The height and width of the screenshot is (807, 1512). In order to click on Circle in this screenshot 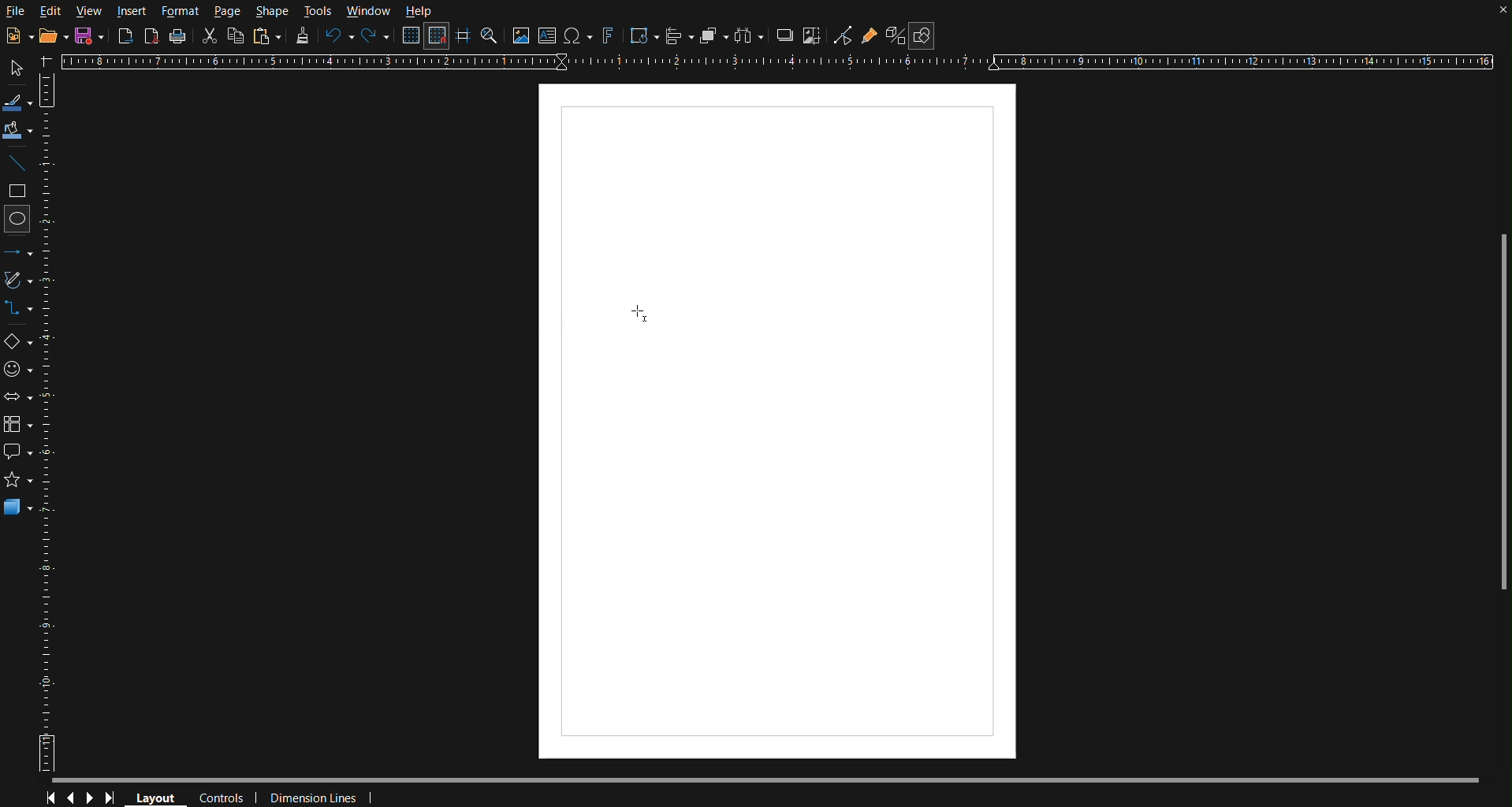, I will do `click(19, 222)`.